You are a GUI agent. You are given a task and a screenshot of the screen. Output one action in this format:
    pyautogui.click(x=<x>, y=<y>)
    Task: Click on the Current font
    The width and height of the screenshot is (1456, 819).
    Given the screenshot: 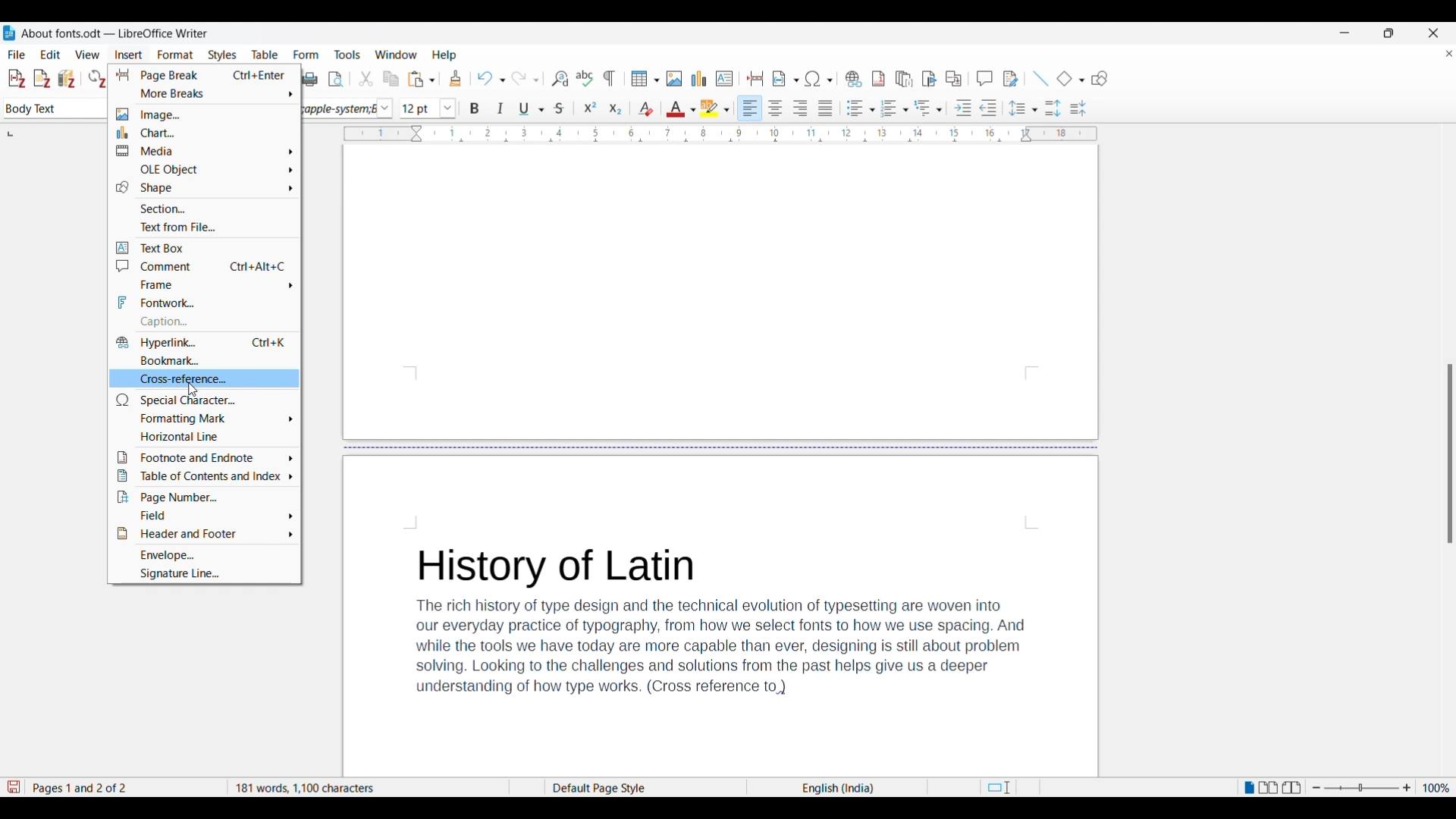 What is the action you would take?
    pyautogui.click(x=340, y=111)
    